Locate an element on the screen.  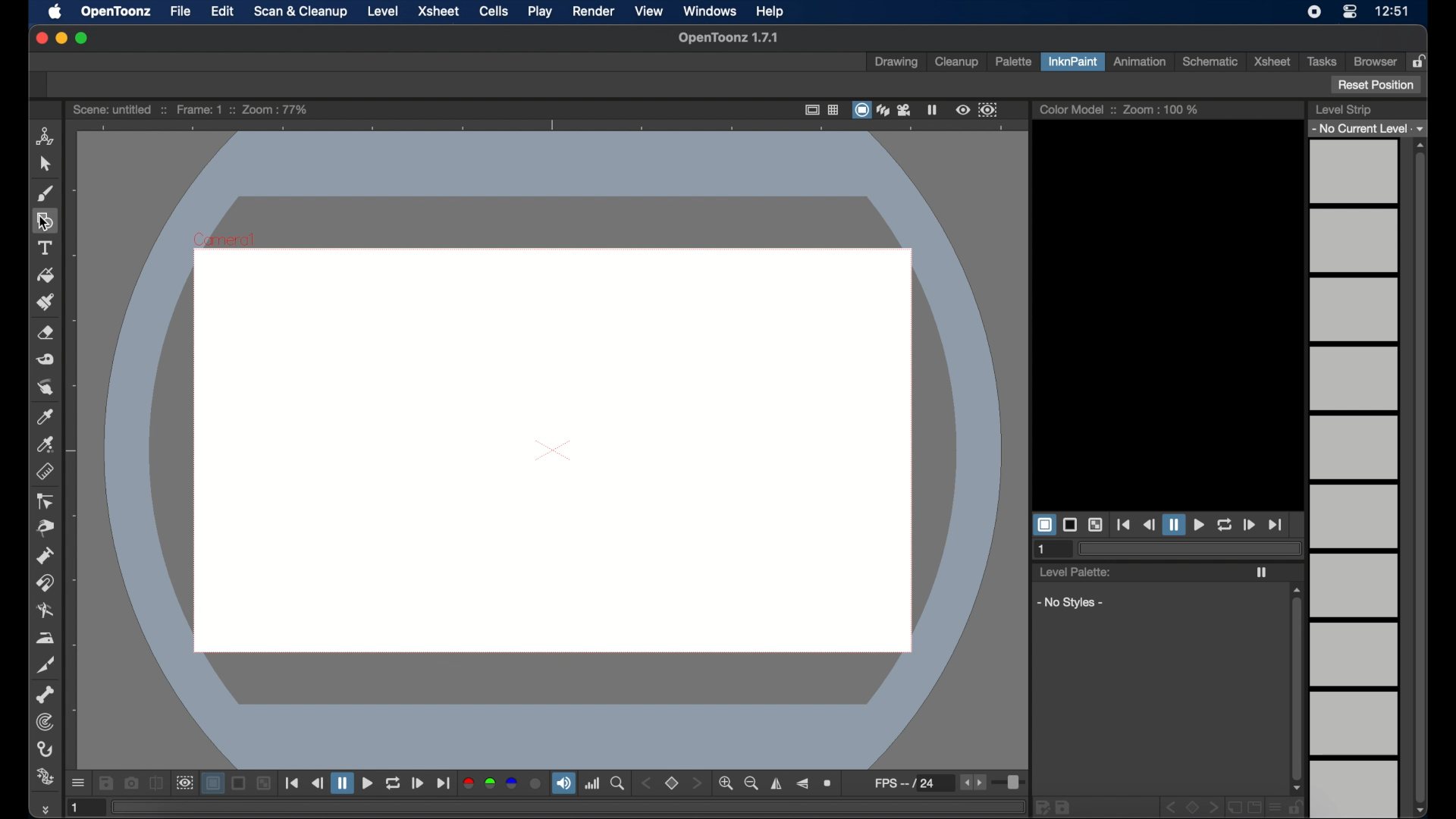
green channel is located at coordinates (491, 783).